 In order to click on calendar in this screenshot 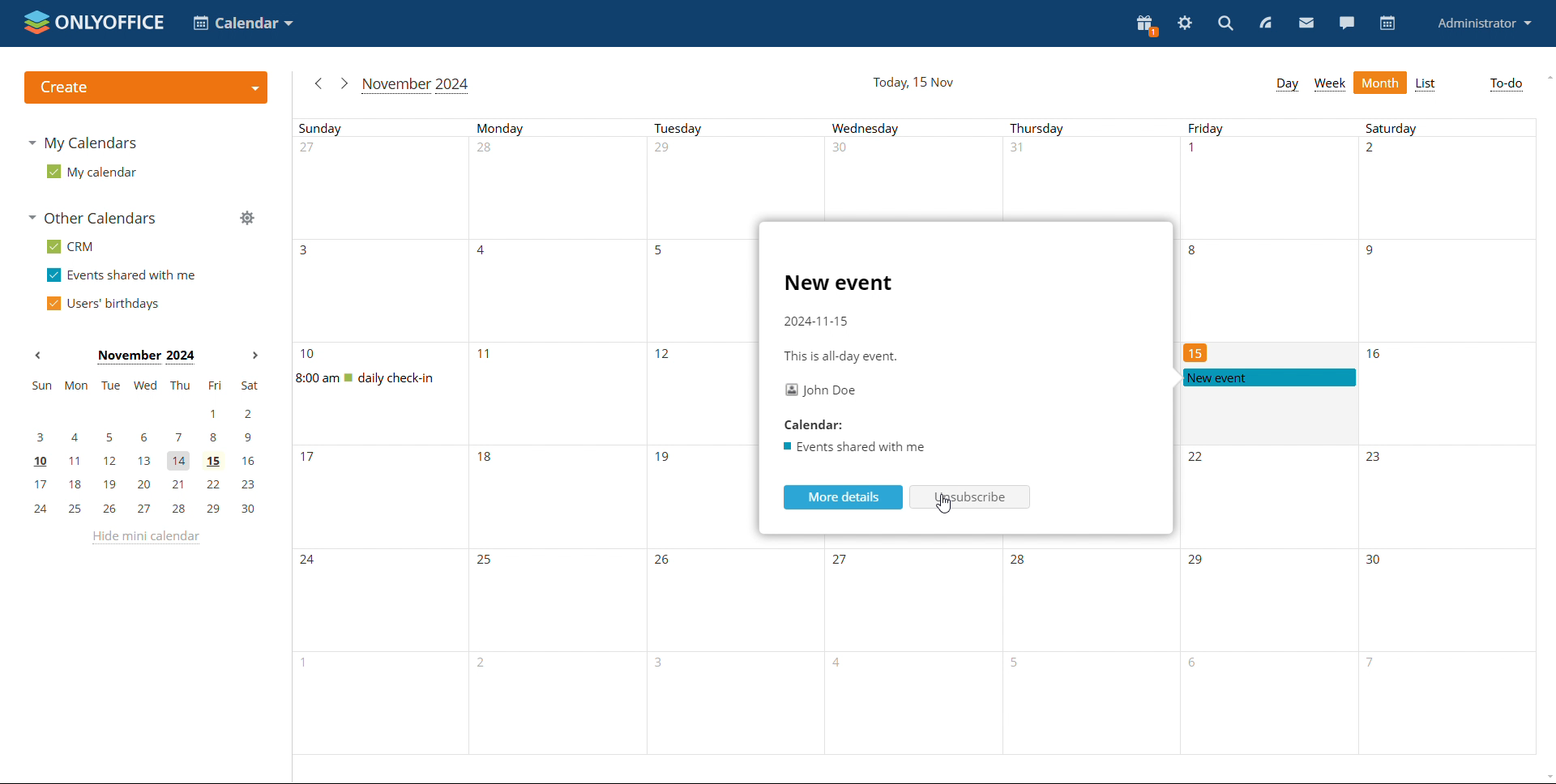, I will do `click(1386, 23)`.